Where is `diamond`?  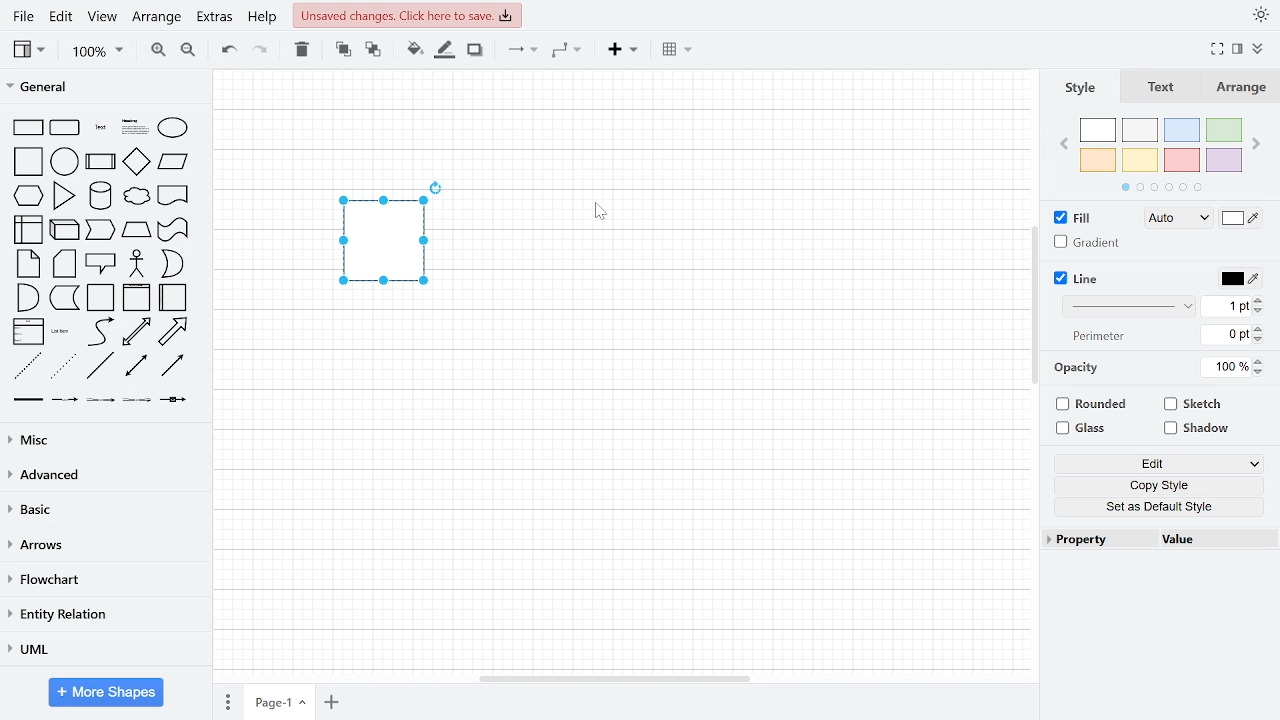
diamond is located at coordinates (137, 162).